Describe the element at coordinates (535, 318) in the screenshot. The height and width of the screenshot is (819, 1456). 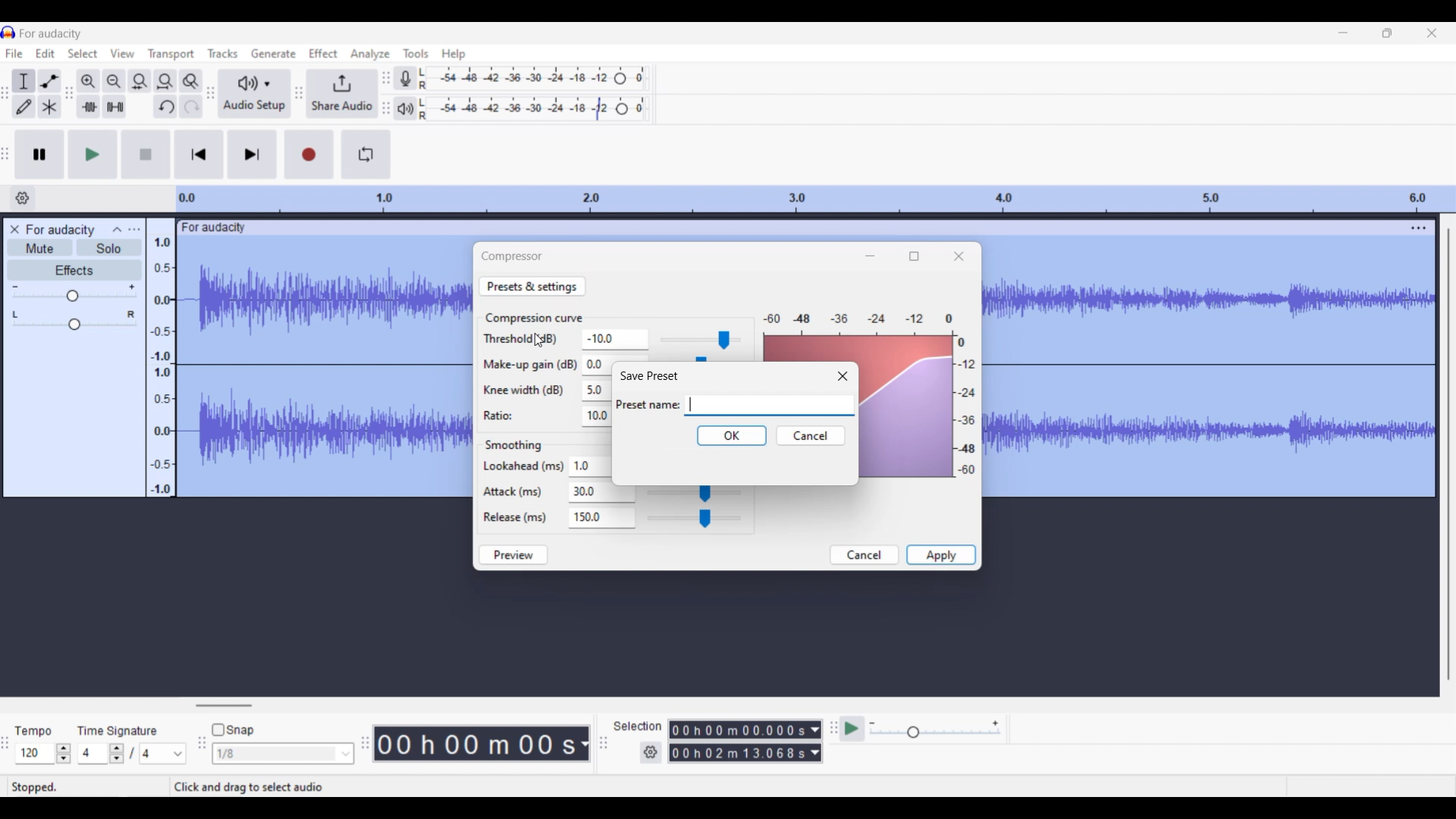
I see `Section title` at that location.